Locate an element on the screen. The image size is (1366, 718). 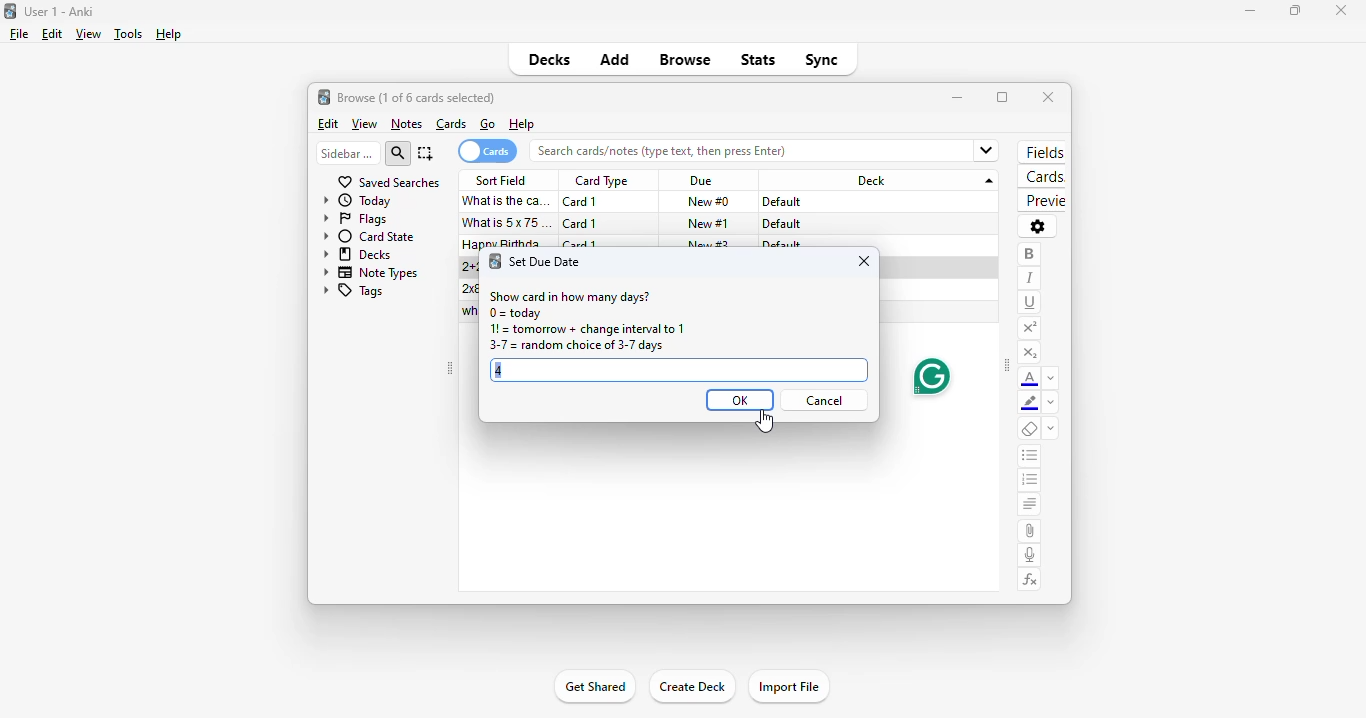
ordered list is located at coordinates (1030, 482).